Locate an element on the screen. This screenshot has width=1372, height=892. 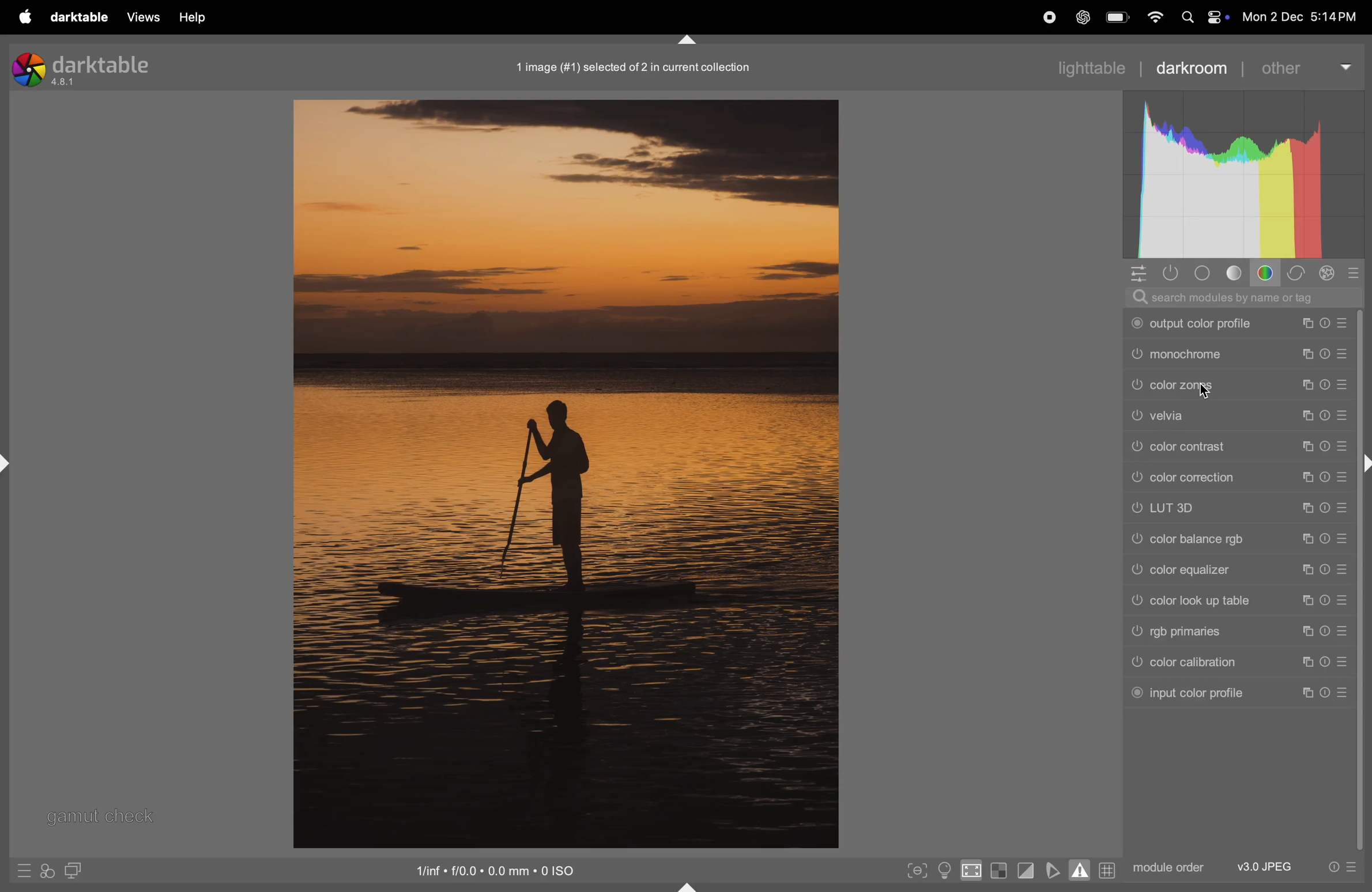
toggle gaamut checking is located at coordinates (1078, 869).